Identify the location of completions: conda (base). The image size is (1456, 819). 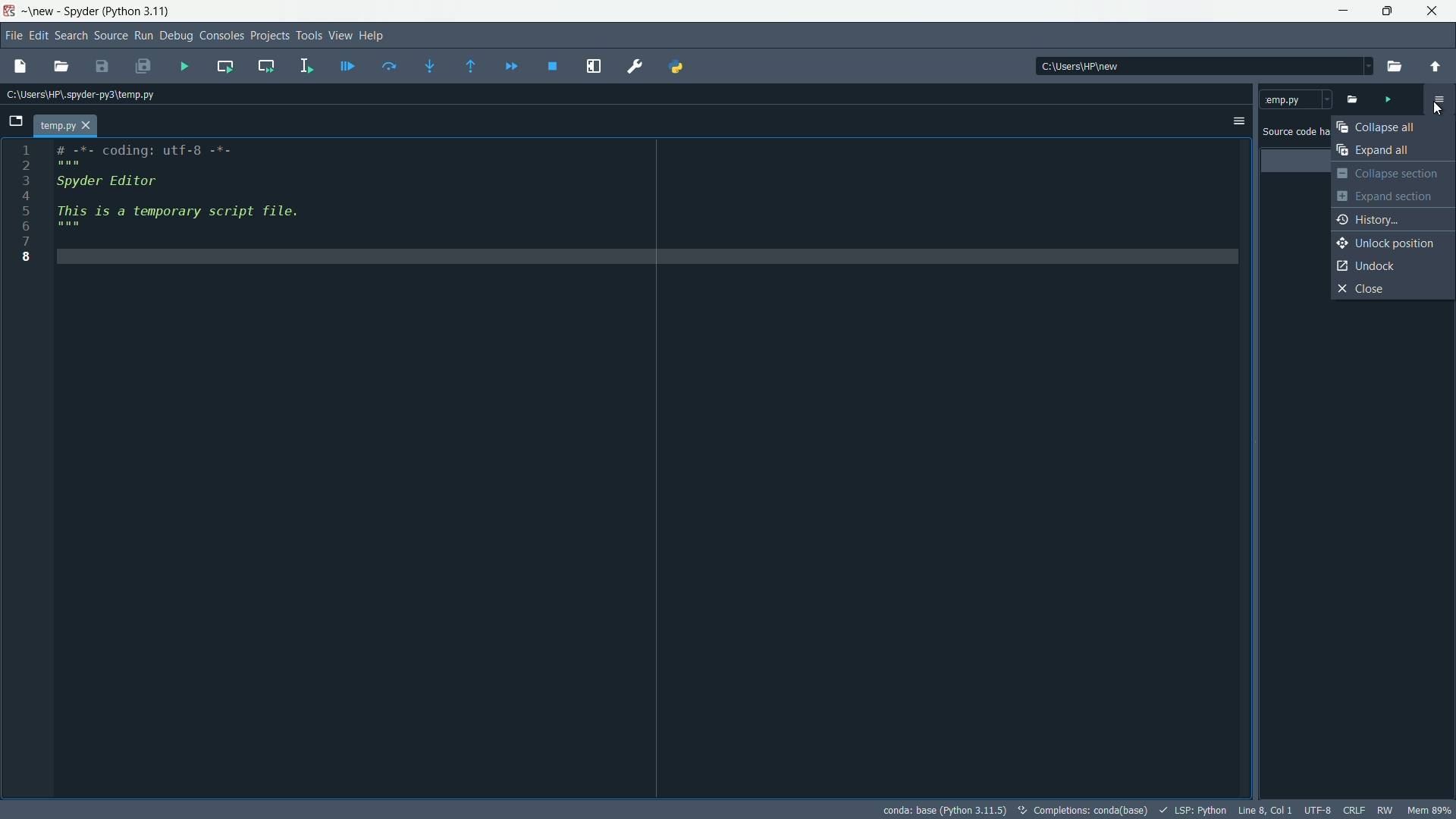
(1081, 809).